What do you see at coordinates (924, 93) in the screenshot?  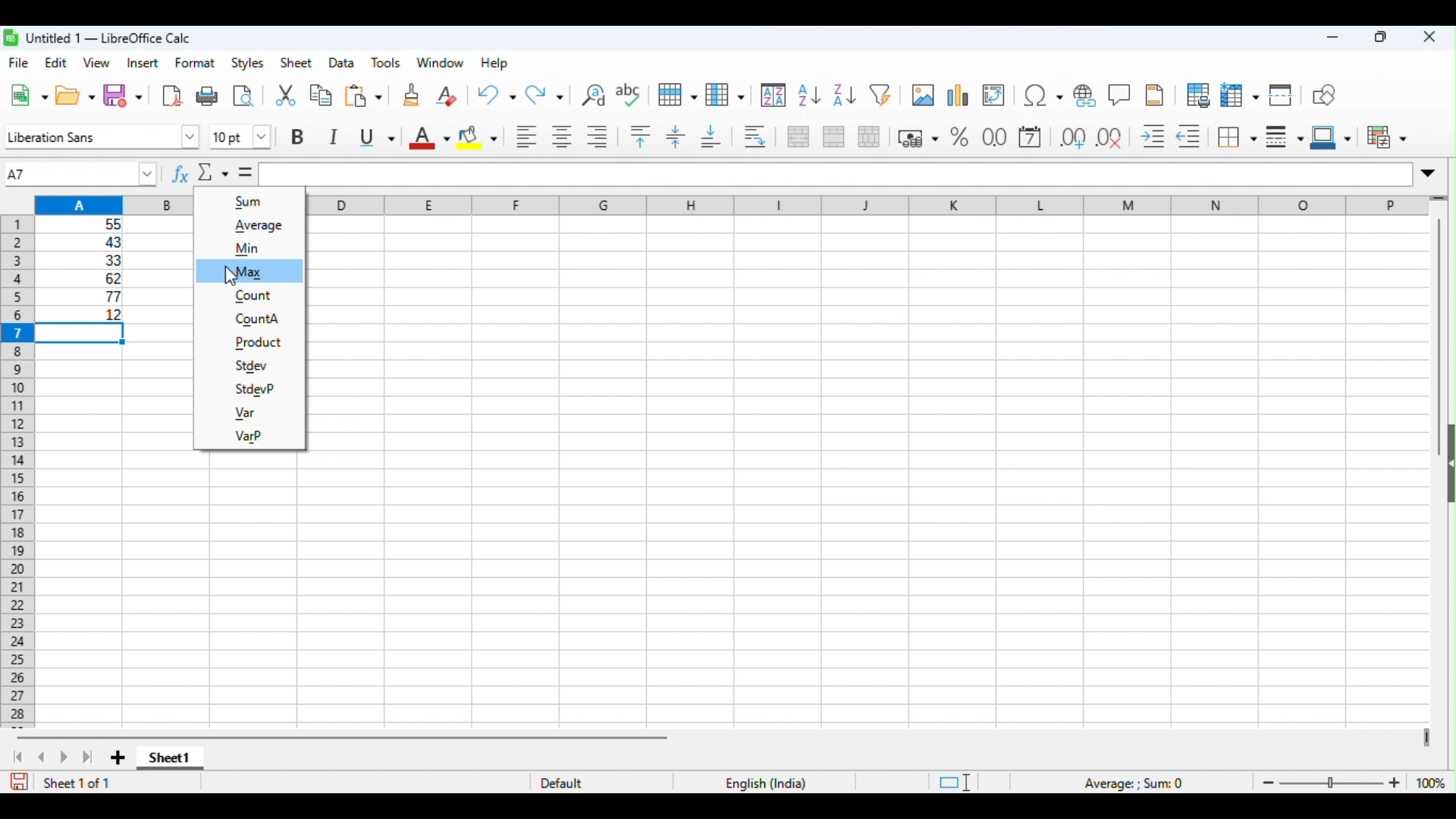 I see `insert image` at bounding box center [924, 93].